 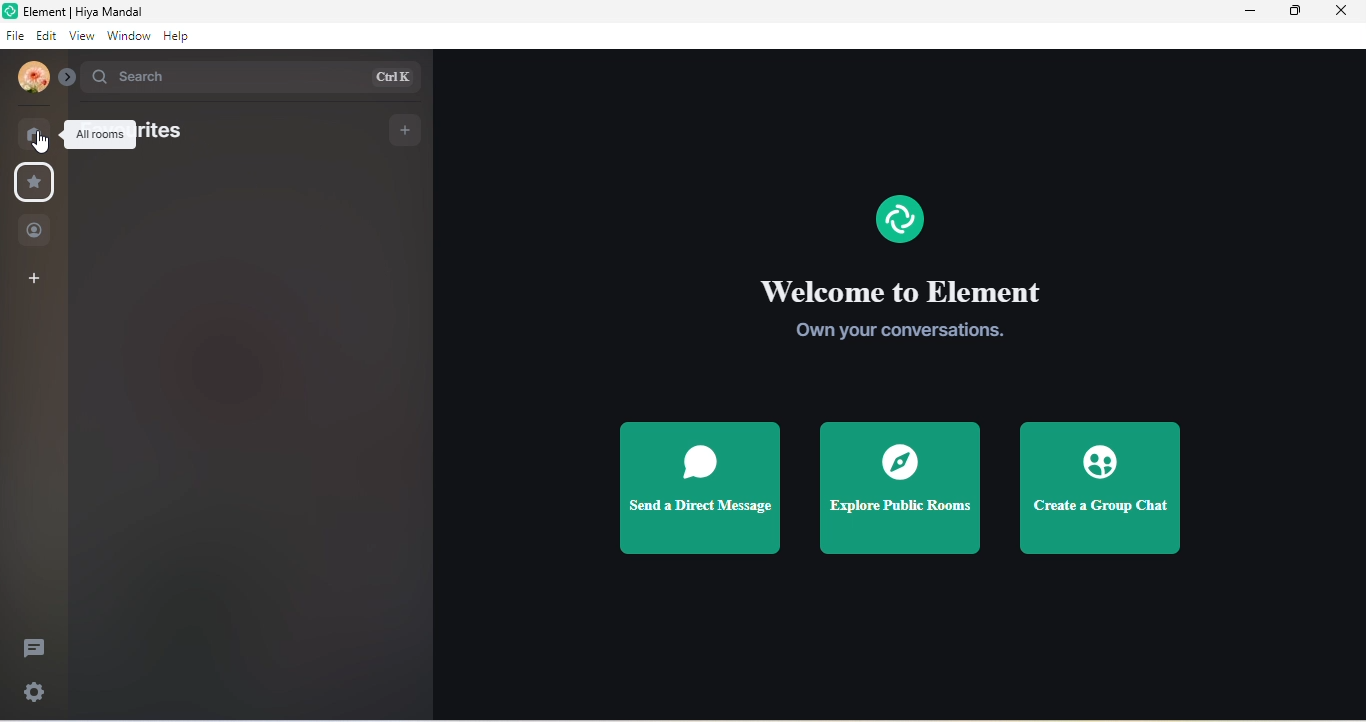 What do you see at coordinates (10, 11) in the screenshot?
I see `logo` at bounding box center [10, 11].